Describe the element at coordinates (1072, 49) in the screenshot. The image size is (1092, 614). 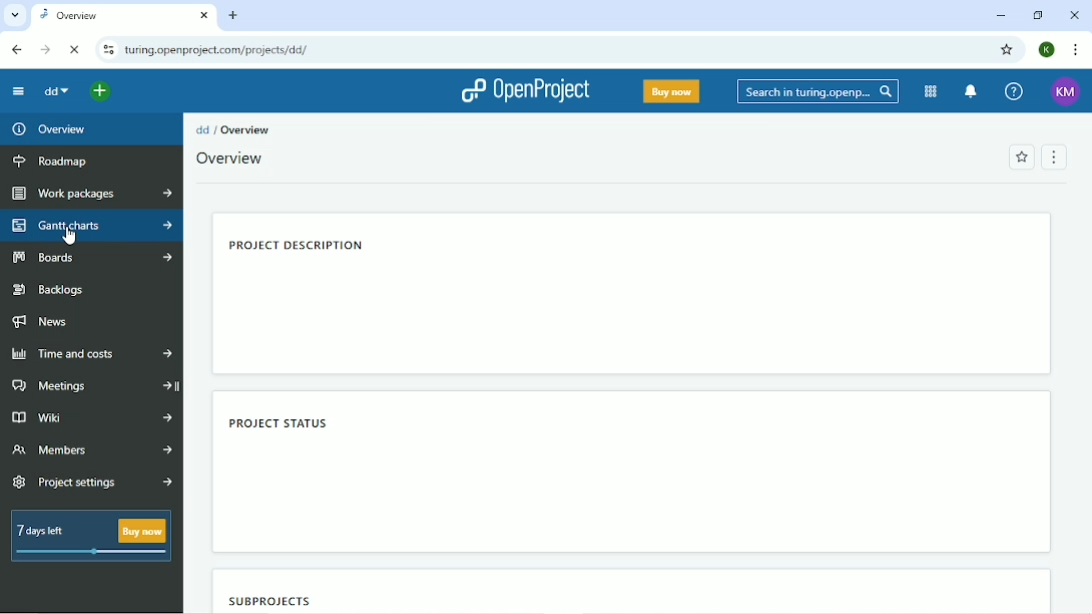
I see `Customize and control google chrome` at that location.